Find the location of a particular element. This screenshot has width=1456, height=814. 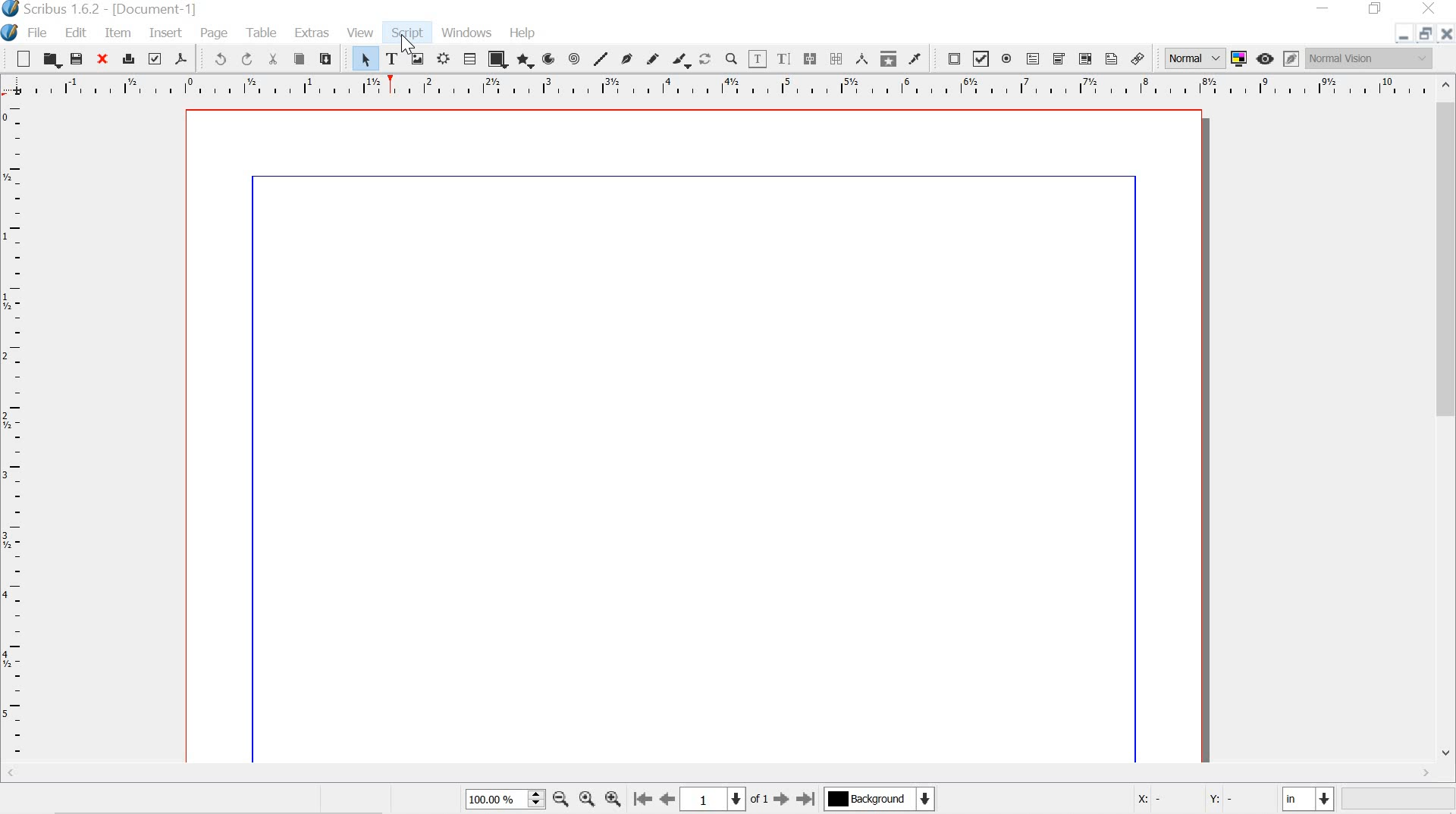

100% is located at coordinates (502, 798).